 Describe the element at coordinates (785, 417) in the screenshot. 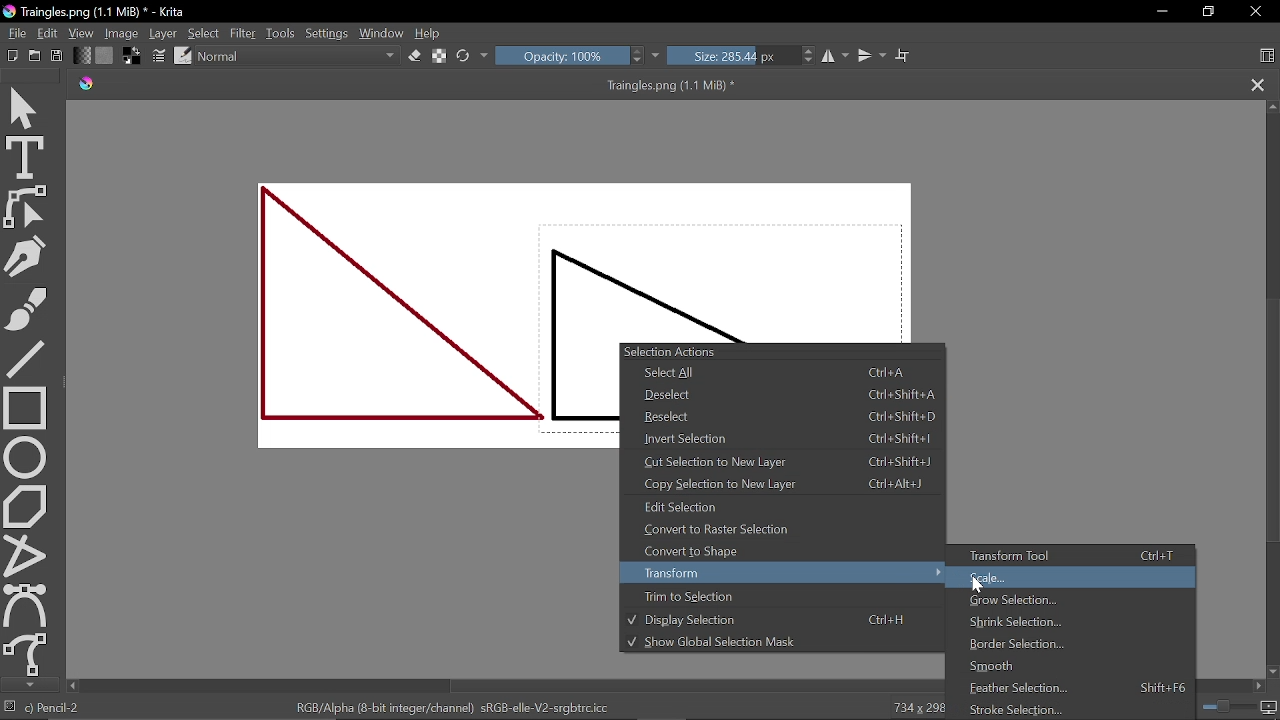

I see `Reselect` at that location.